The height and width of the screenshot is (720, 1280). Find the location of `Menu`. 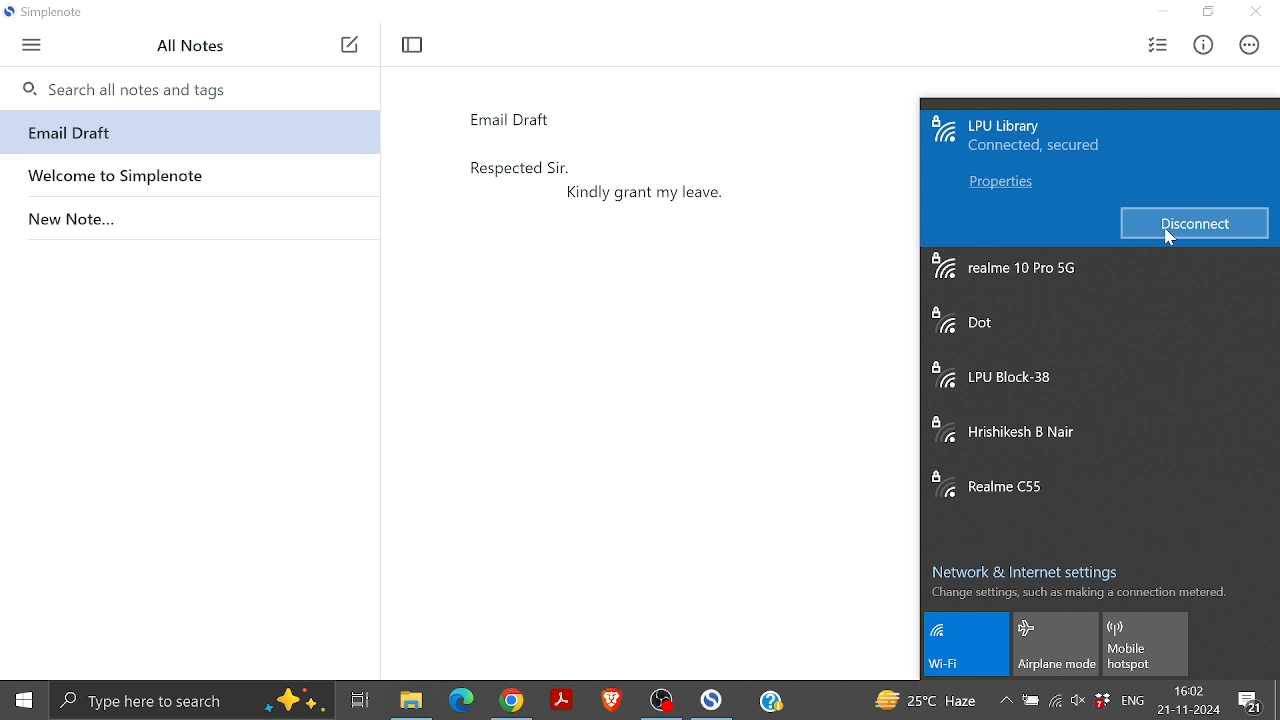

Menu is located at coordinates (31, 46).